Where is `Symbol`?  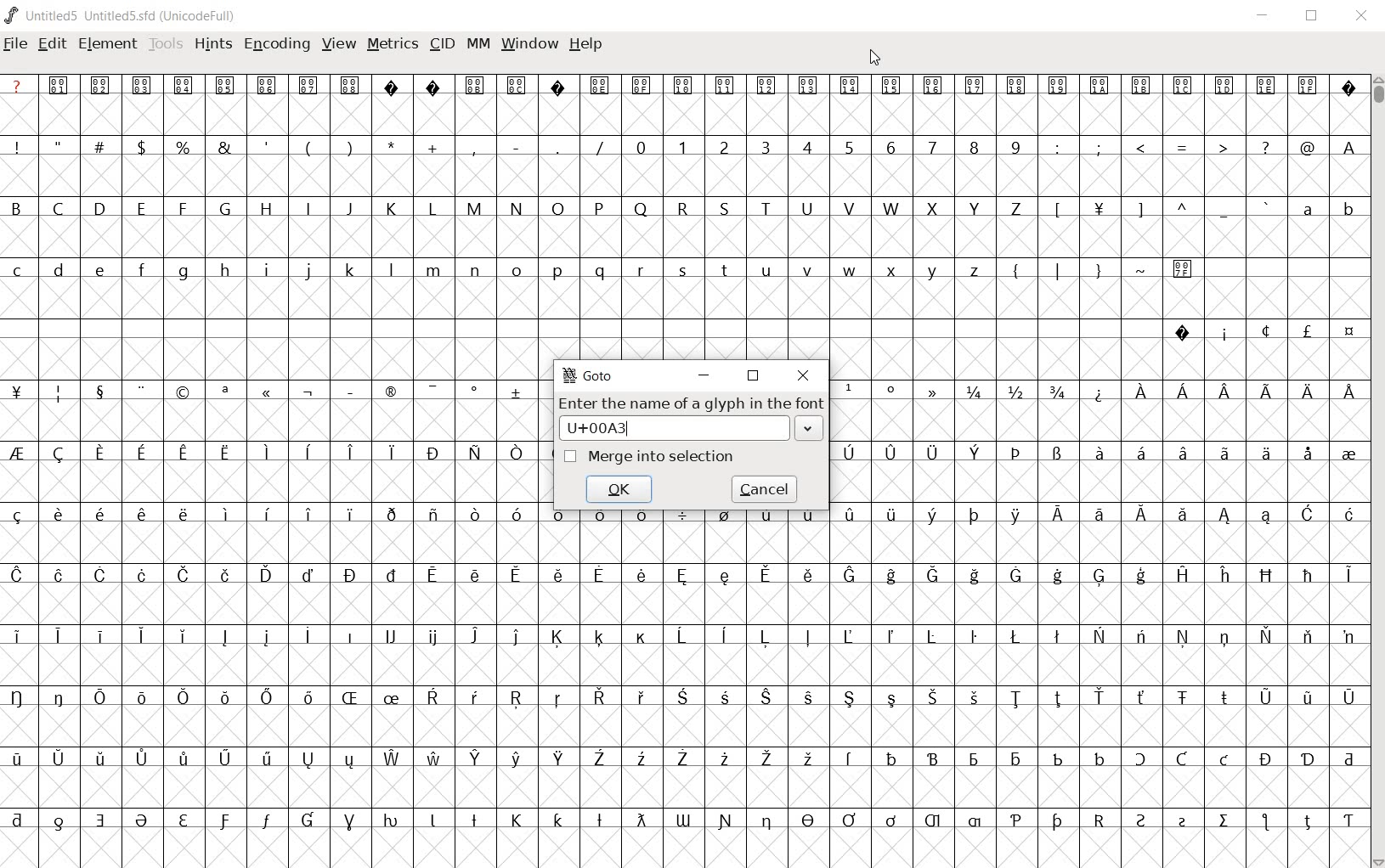
Symbol is located at coordinates (935, 86).